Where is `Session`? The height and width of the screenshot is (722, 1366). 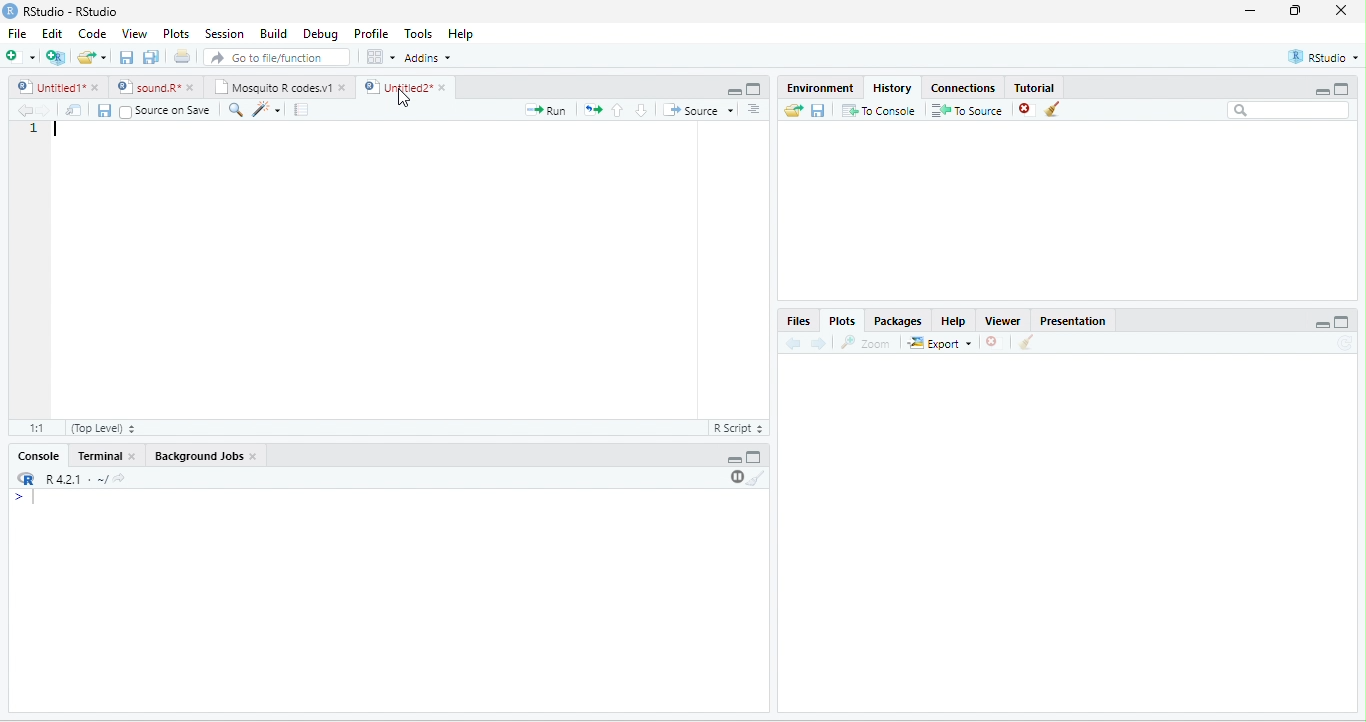 Session is located at coordinates (226, 35).